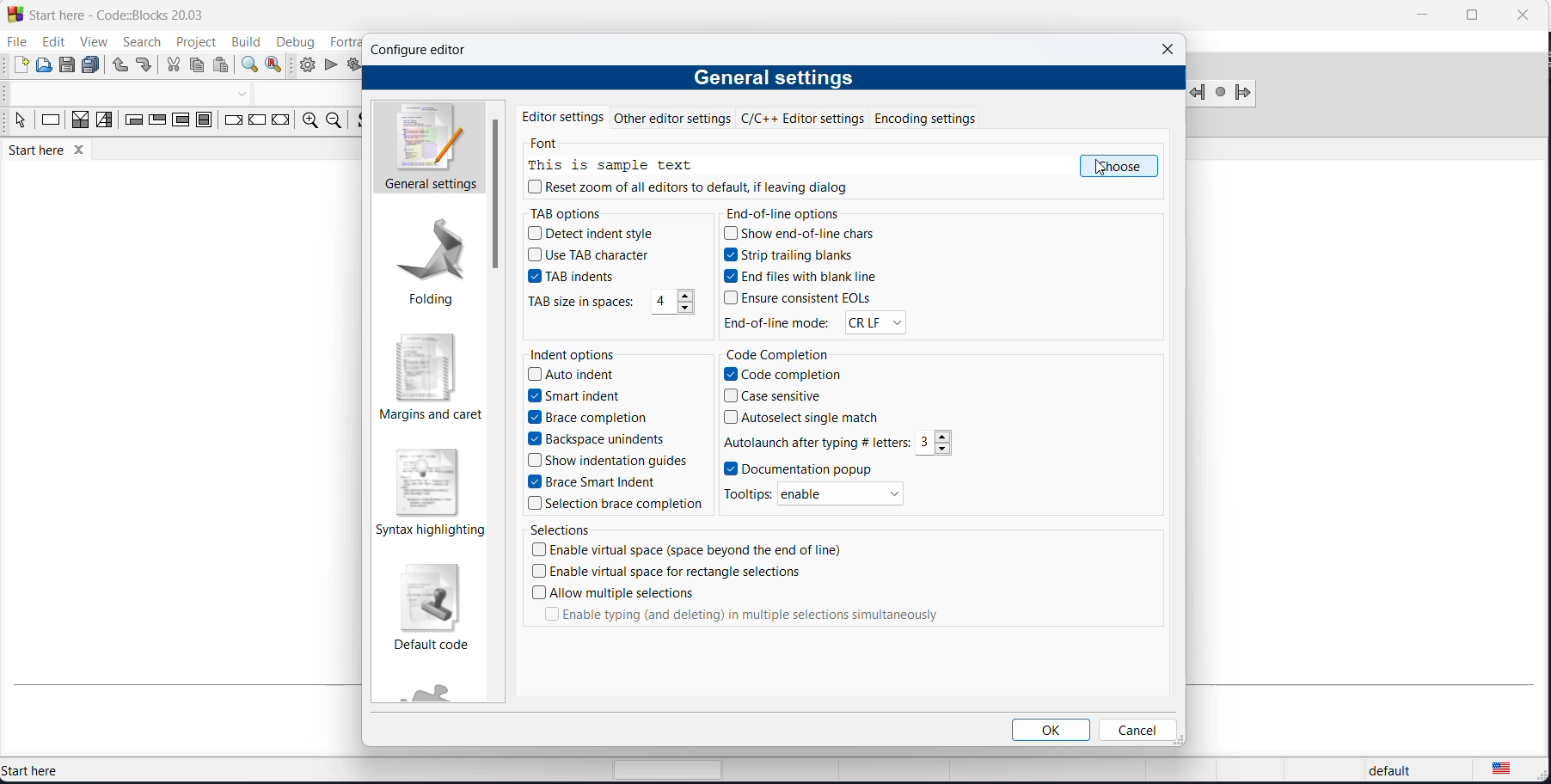  I want to click on jump next, so click(1220, 93).